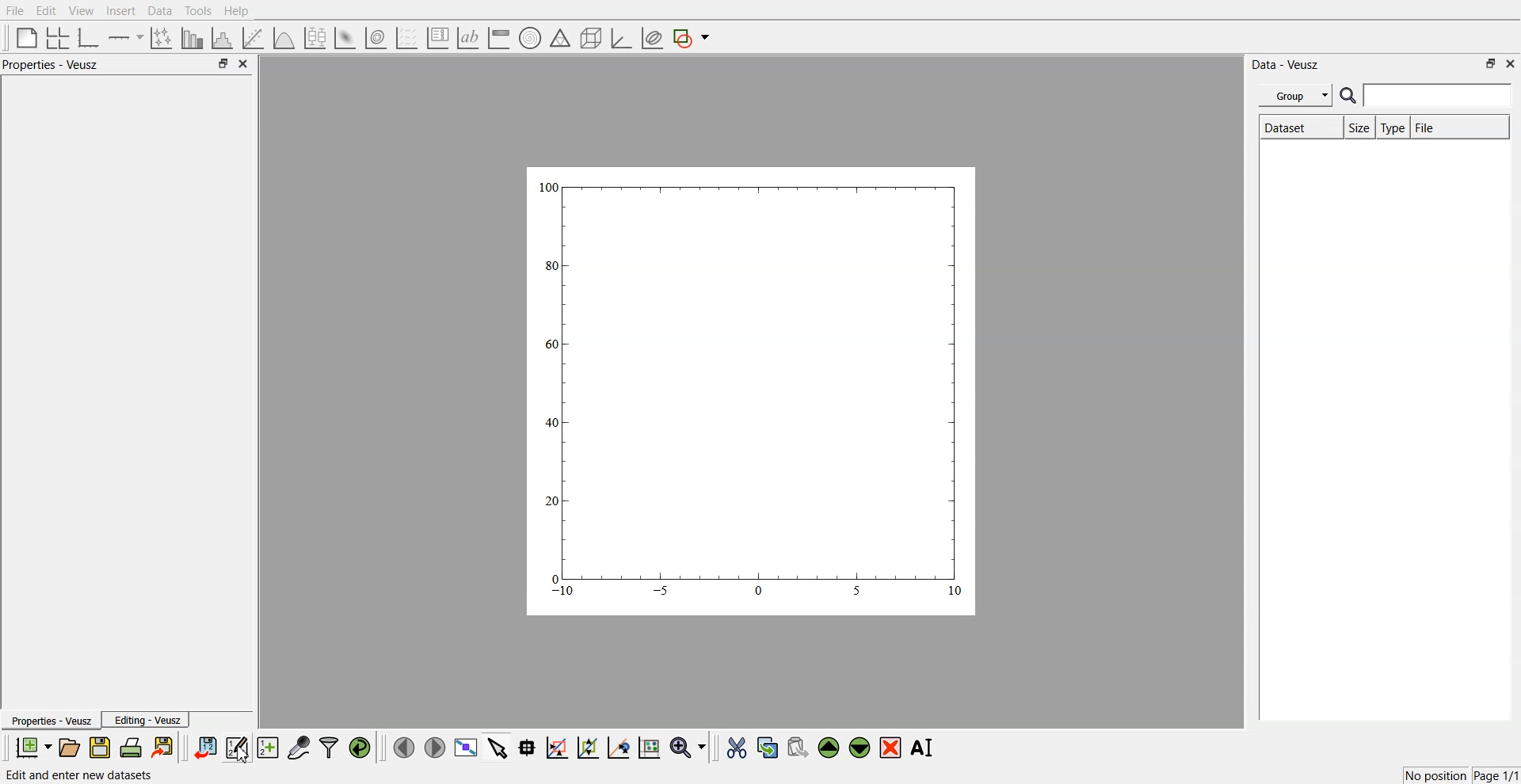 This screenshot has height=784, width=1521. I want to click on Edit, so click(47, 10).